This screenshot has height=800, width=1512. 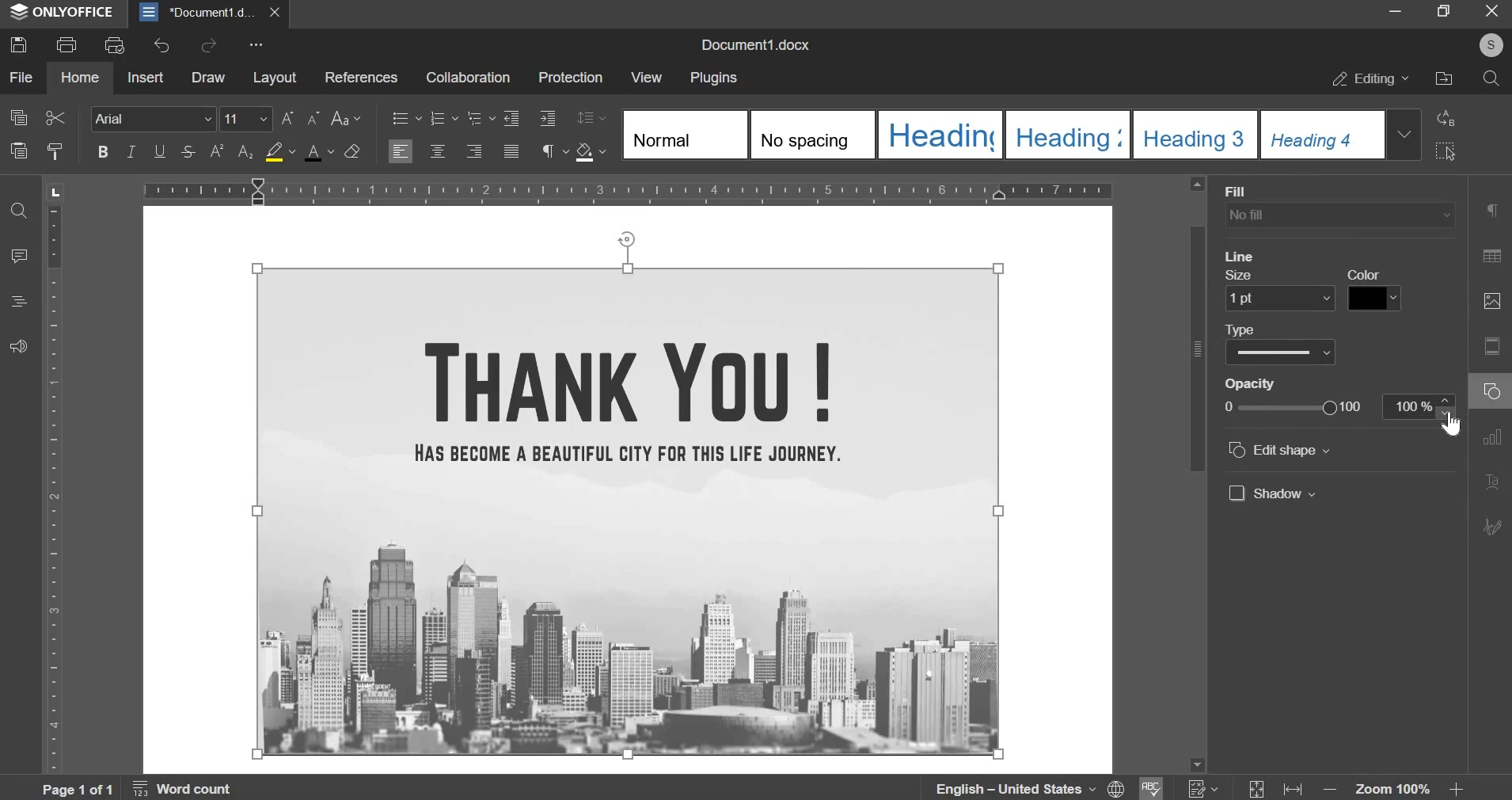 I want to click on S, so click(x=1489, y=46).